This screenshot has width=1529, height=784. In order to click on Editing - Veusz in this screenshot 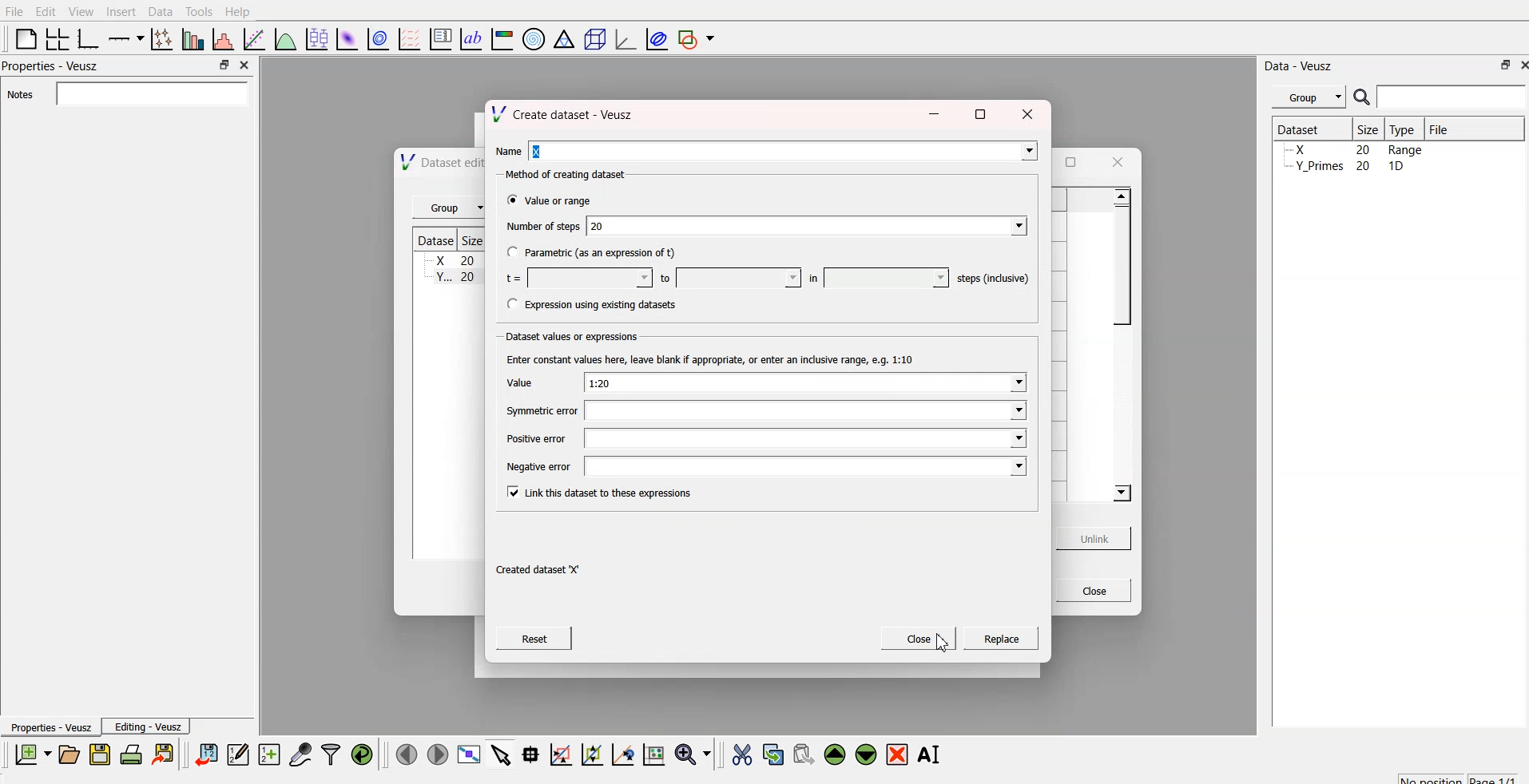, I will do `click(150, 727)`.